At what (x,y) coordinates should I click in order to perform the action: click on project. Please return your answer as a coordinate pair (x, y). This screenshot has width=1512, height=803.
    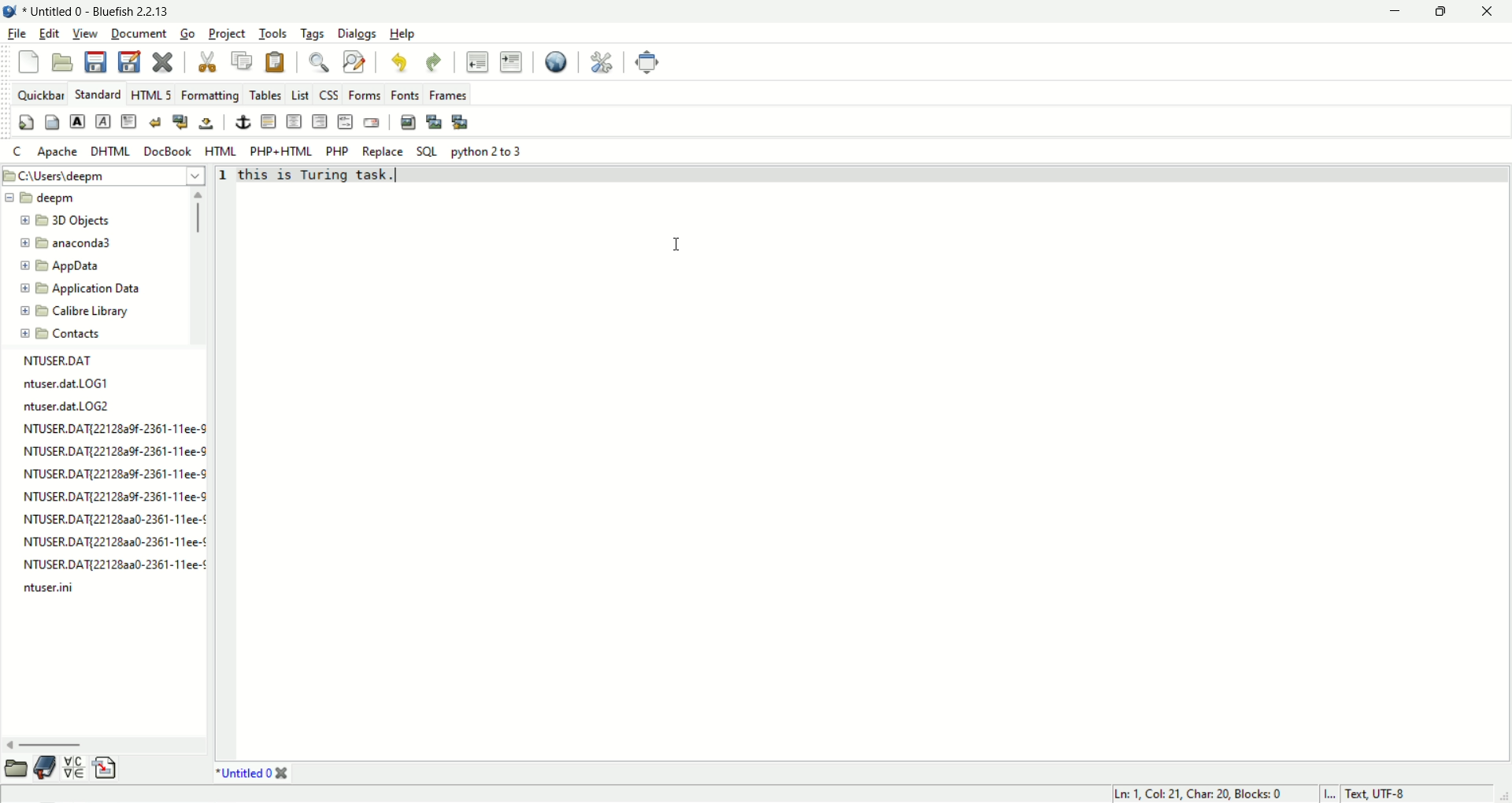
    Looking at the image, I should click on (228, 34).